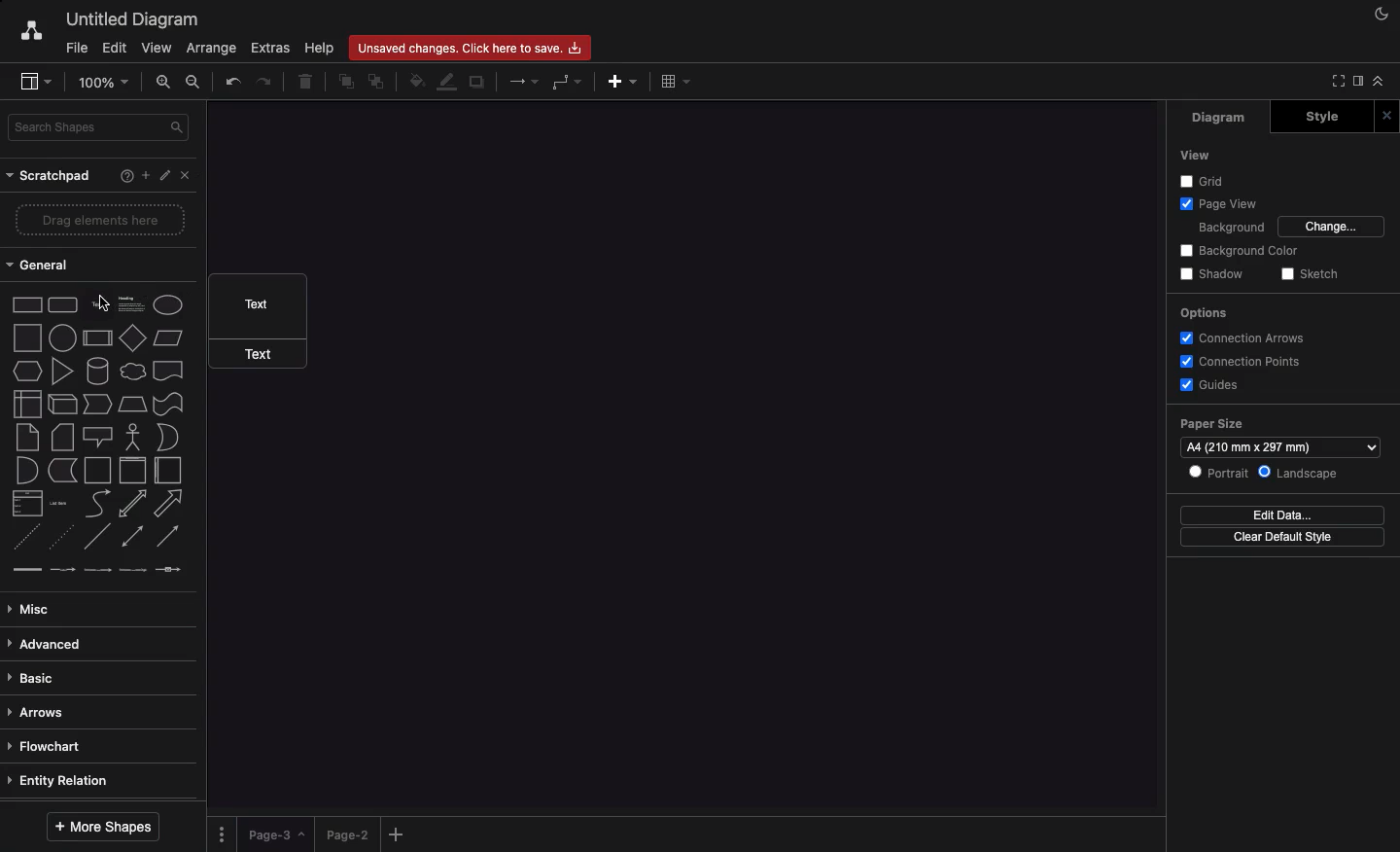 The height and width of the screenshot is (852, 1400). Describe the element at coordinates (1389, 115) in the screenshot. I see `Close` at that location.